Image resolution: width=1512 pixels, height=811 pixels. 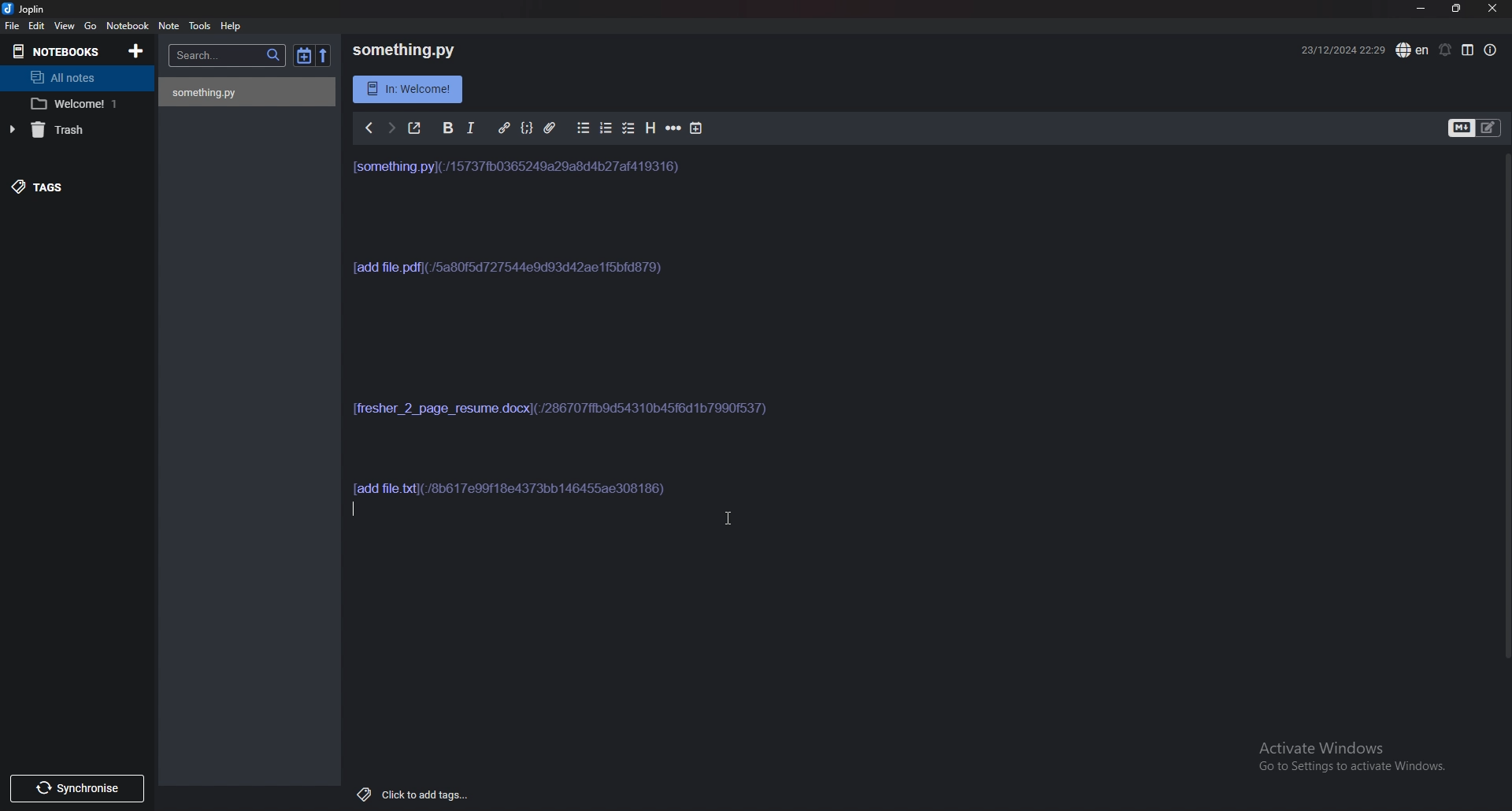 I want to click on Code, so click(x=528, y=130).